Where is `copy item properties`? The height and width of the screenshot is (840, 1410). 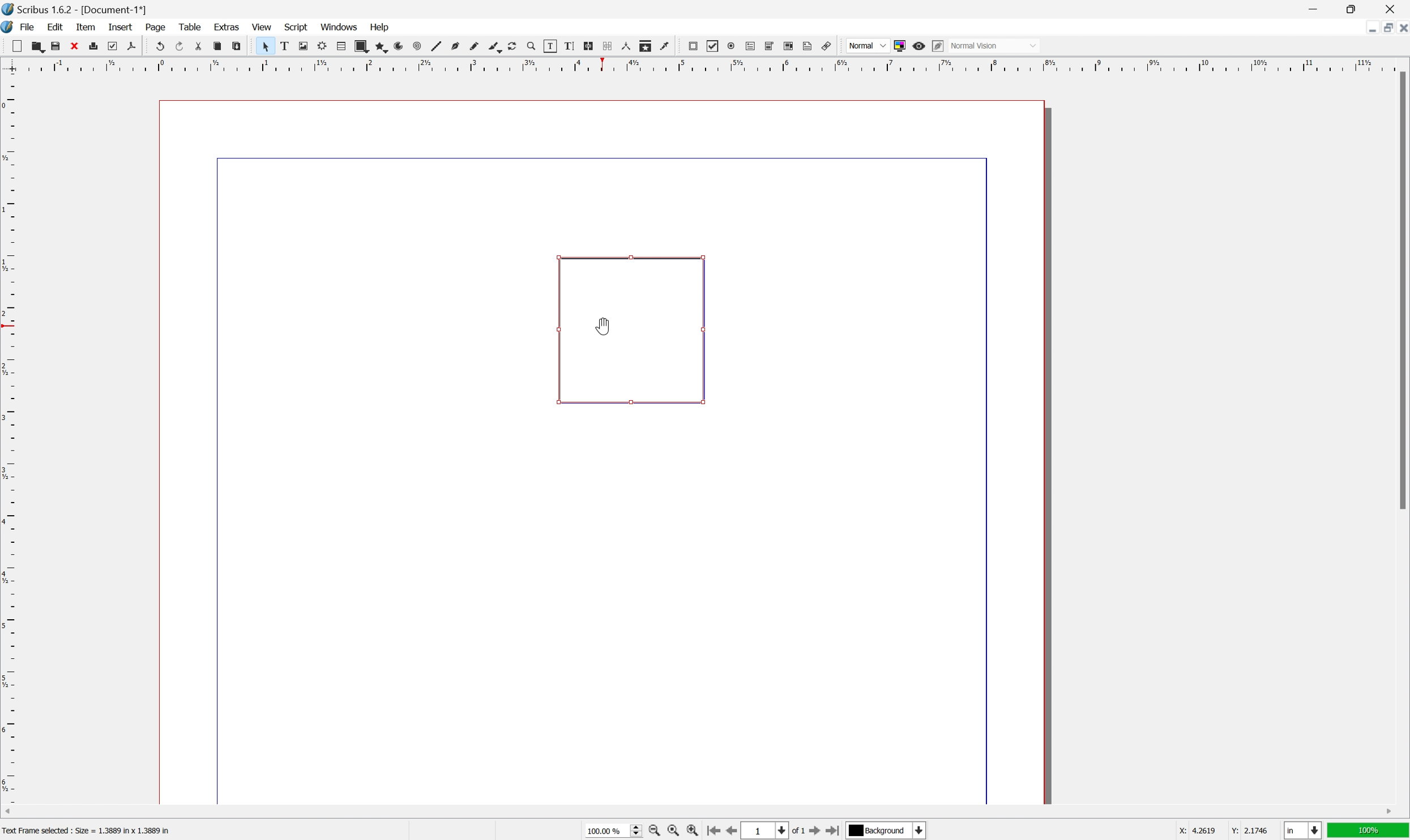
copy item properties is located at coordinates (646, 46).